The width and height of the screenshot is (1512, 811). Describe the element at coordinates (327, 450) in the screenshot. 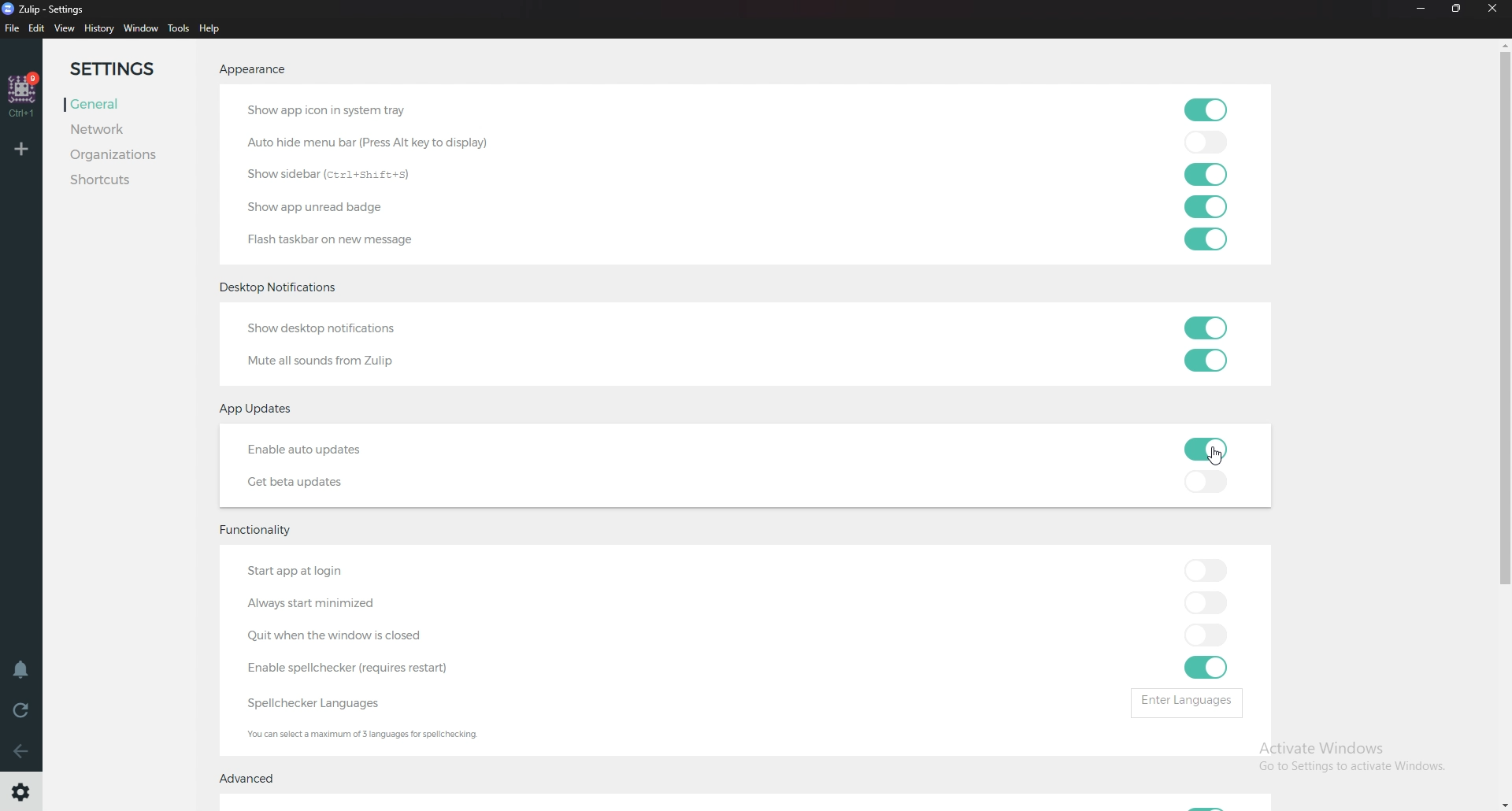

I see `Enable auto updates` at that location.